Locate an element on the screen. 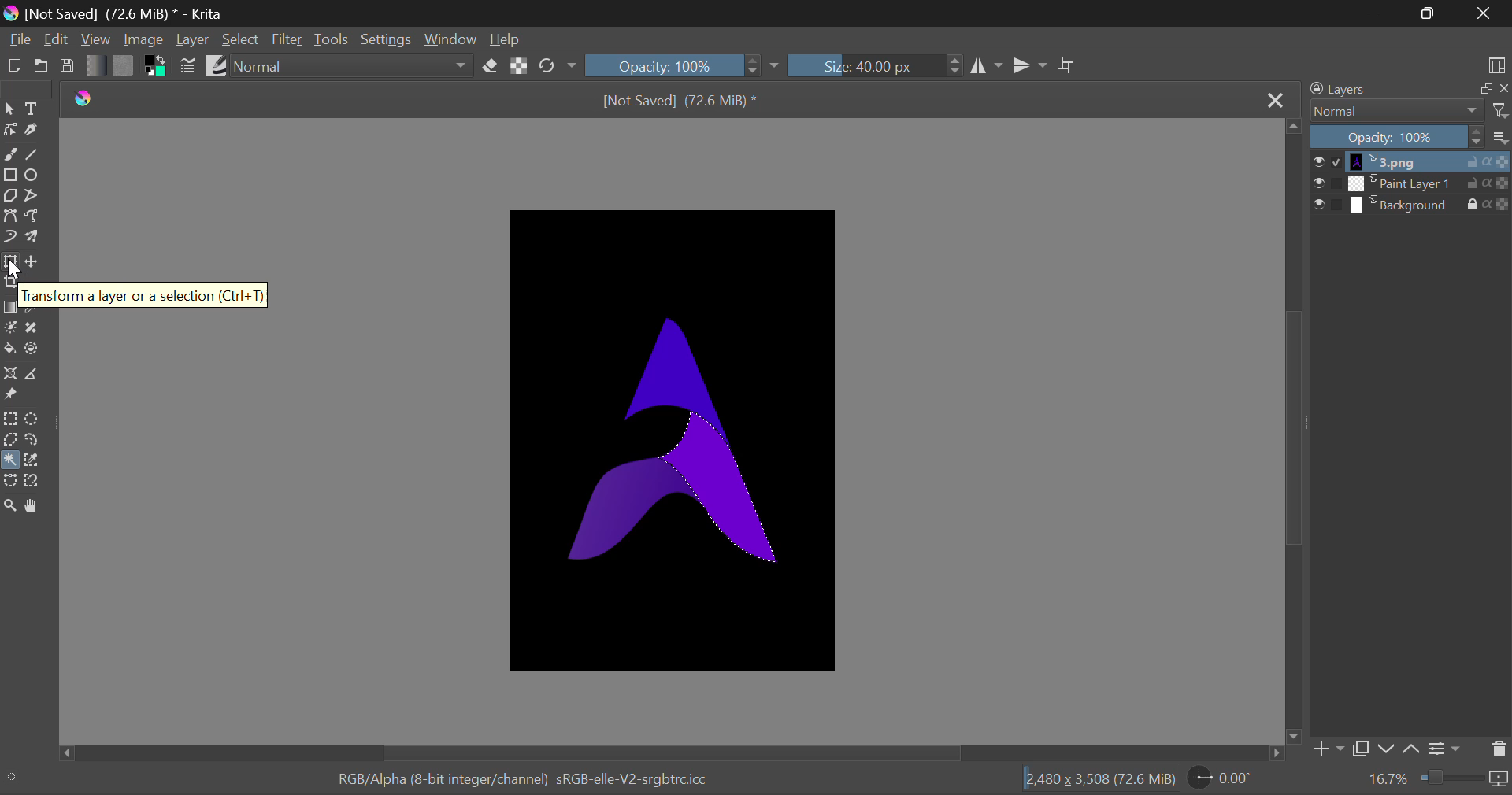 This screenshot has height=795, width=1512. Text is located at coordinates (32, 109).